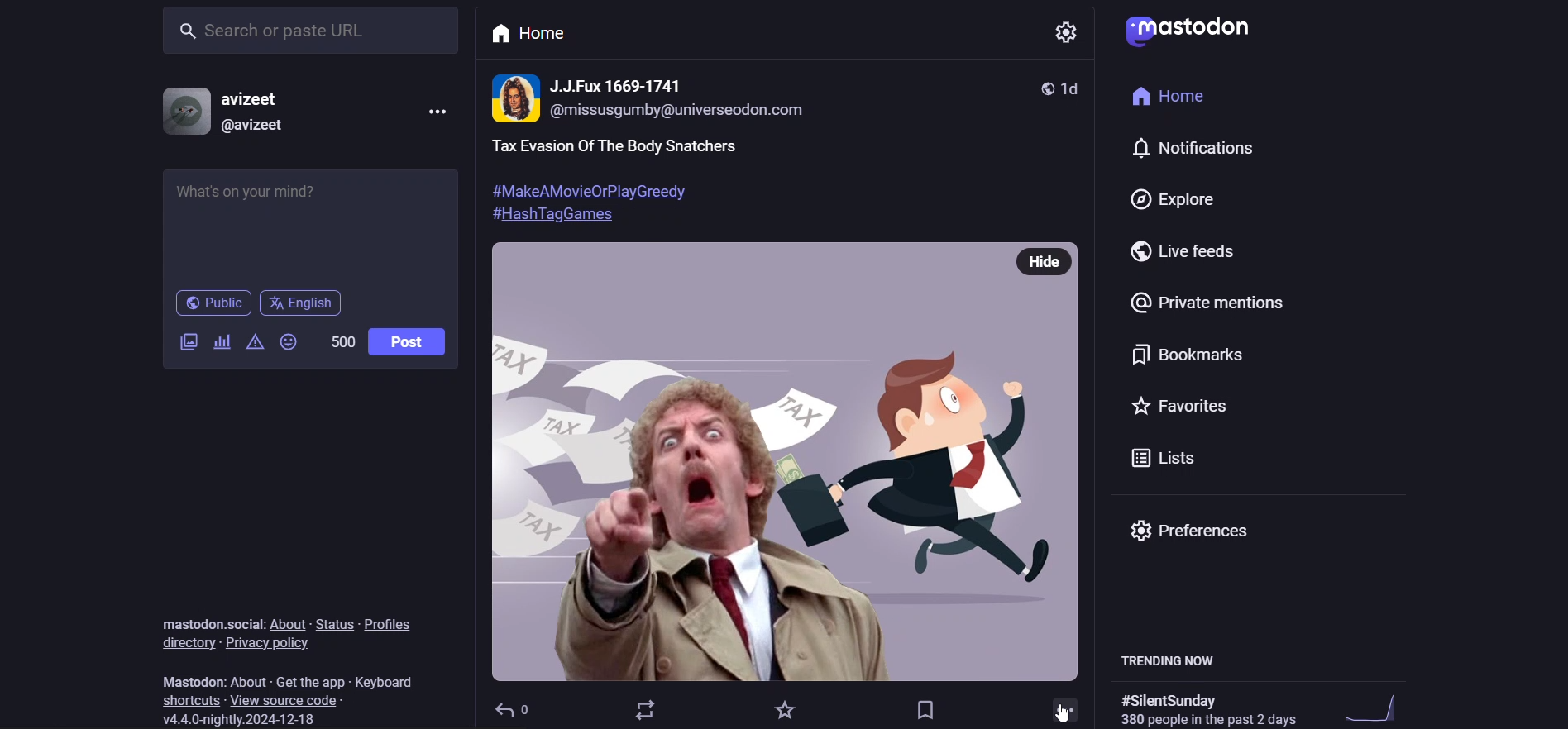  What do you see at coordinates (699, 111) in the screenshot?
I see `@missusgumby@universeodon.com` at bounding box center [699, 111].